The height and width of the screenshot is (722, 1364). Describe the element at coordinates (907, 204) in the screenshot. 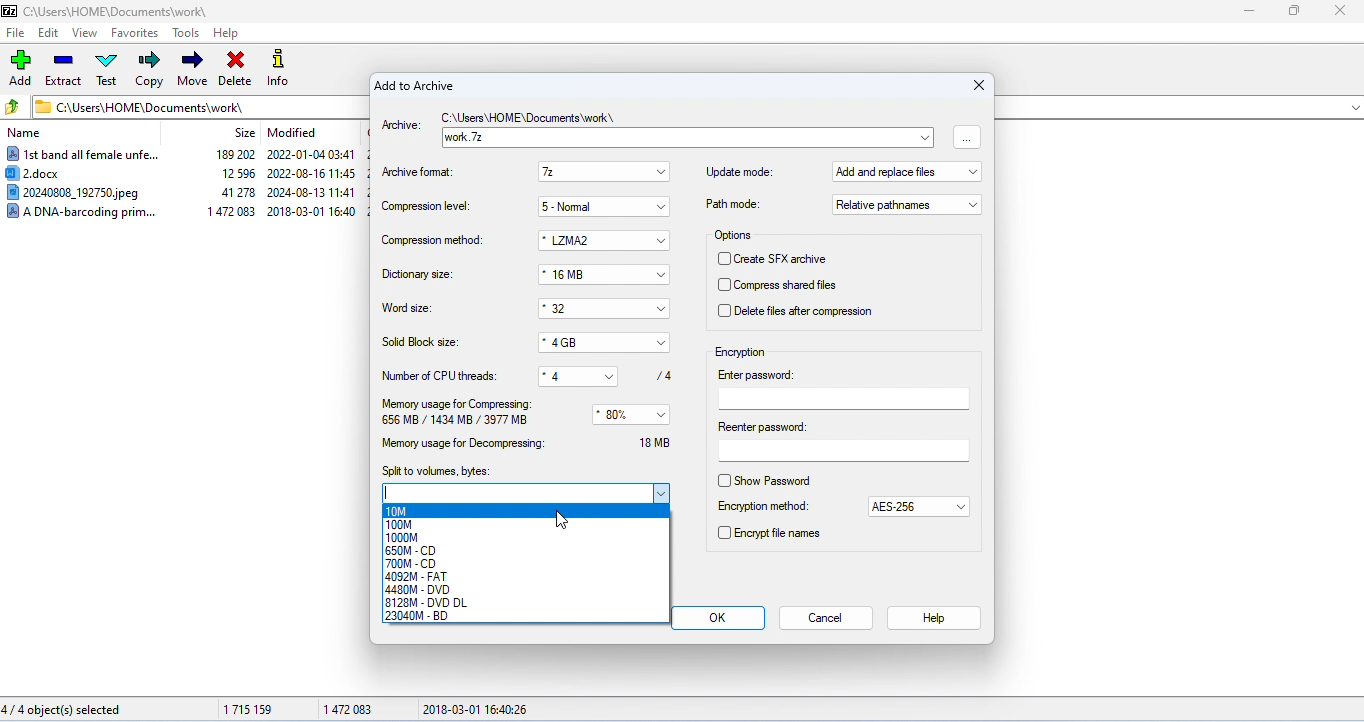

I see `relative parameters` at that location.